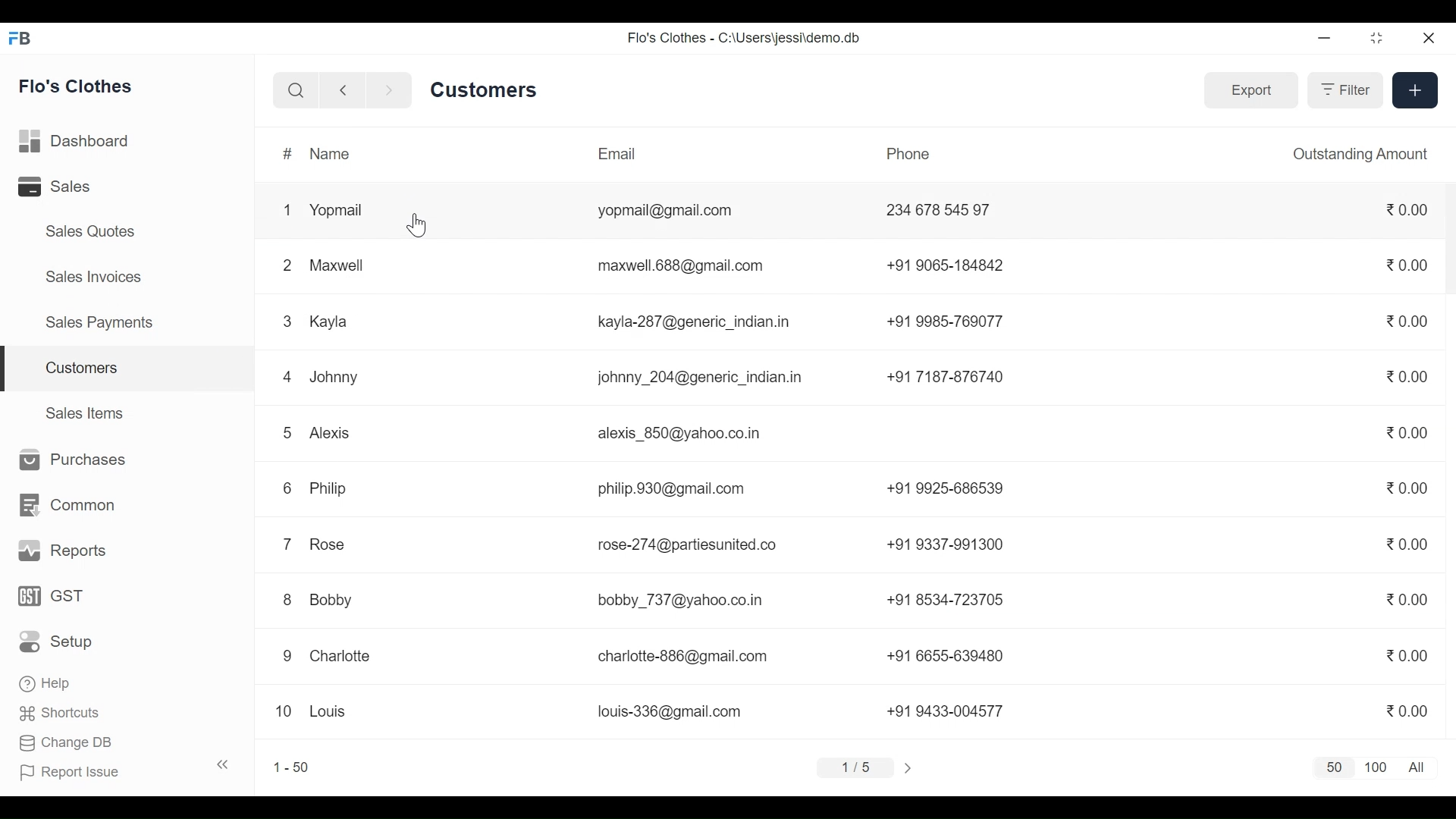 The height and width of the screenshot is (819, 1456). Describe the element at coordinates (1250, 91) in the screenshot. I see `Export` at that location.